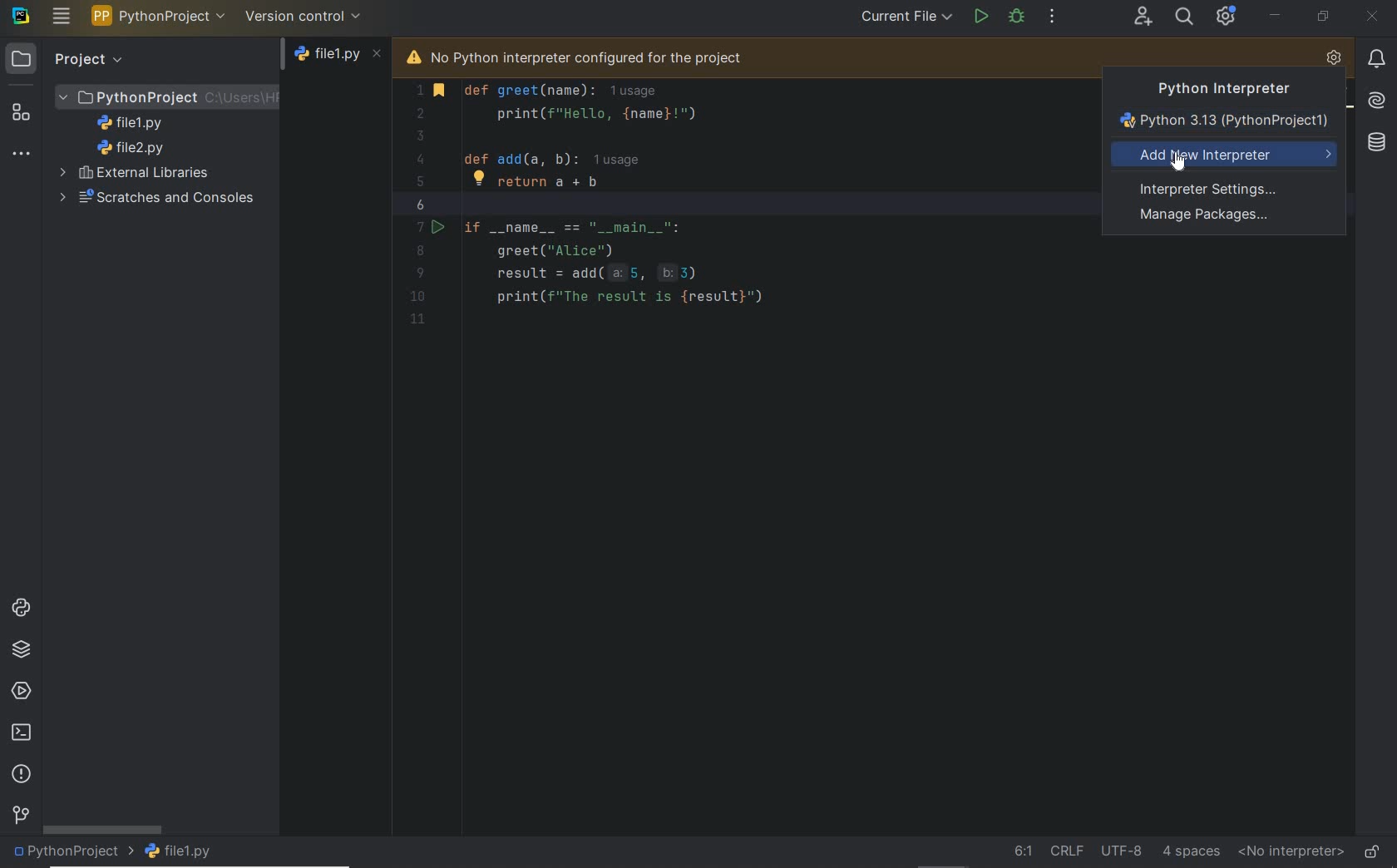 This screenshot has width=1397, height=868. I want to click on AI Assistant, so click(1375, 99).